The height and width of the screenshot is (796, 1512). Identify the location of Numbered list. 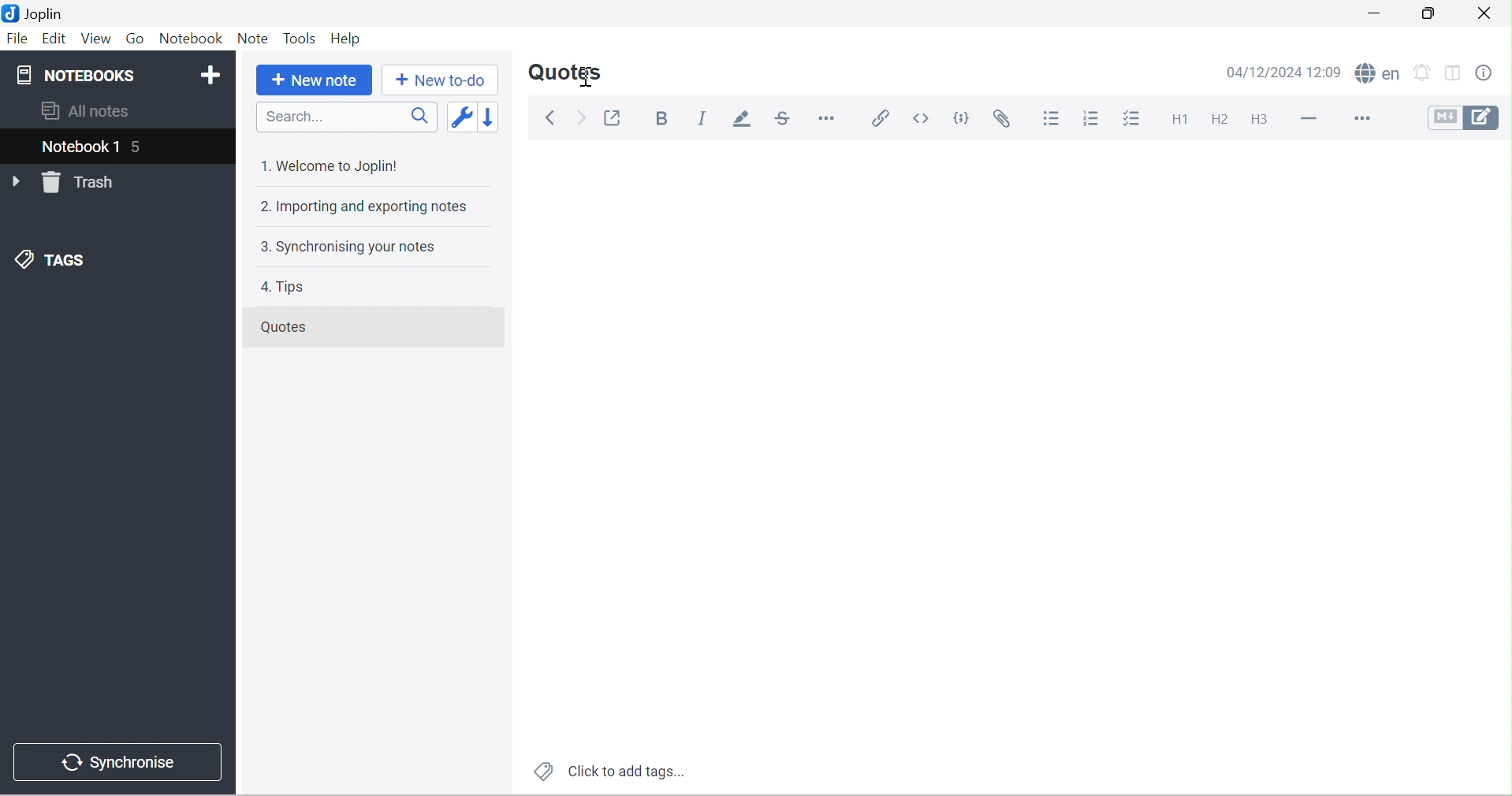
(1090, 120).